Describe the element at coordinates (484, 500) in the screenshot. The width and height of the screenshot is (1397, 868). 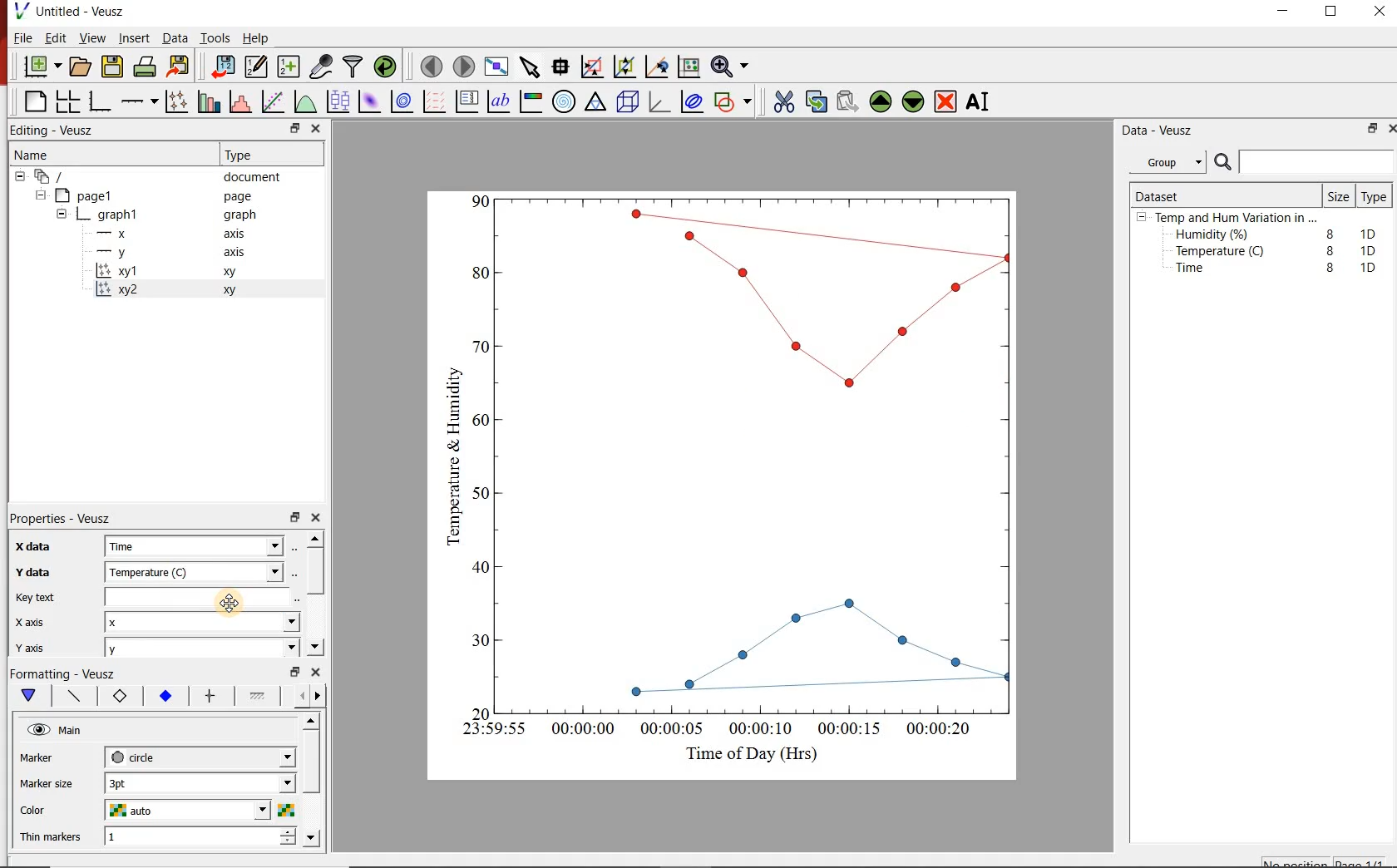
I see `50` at that location.